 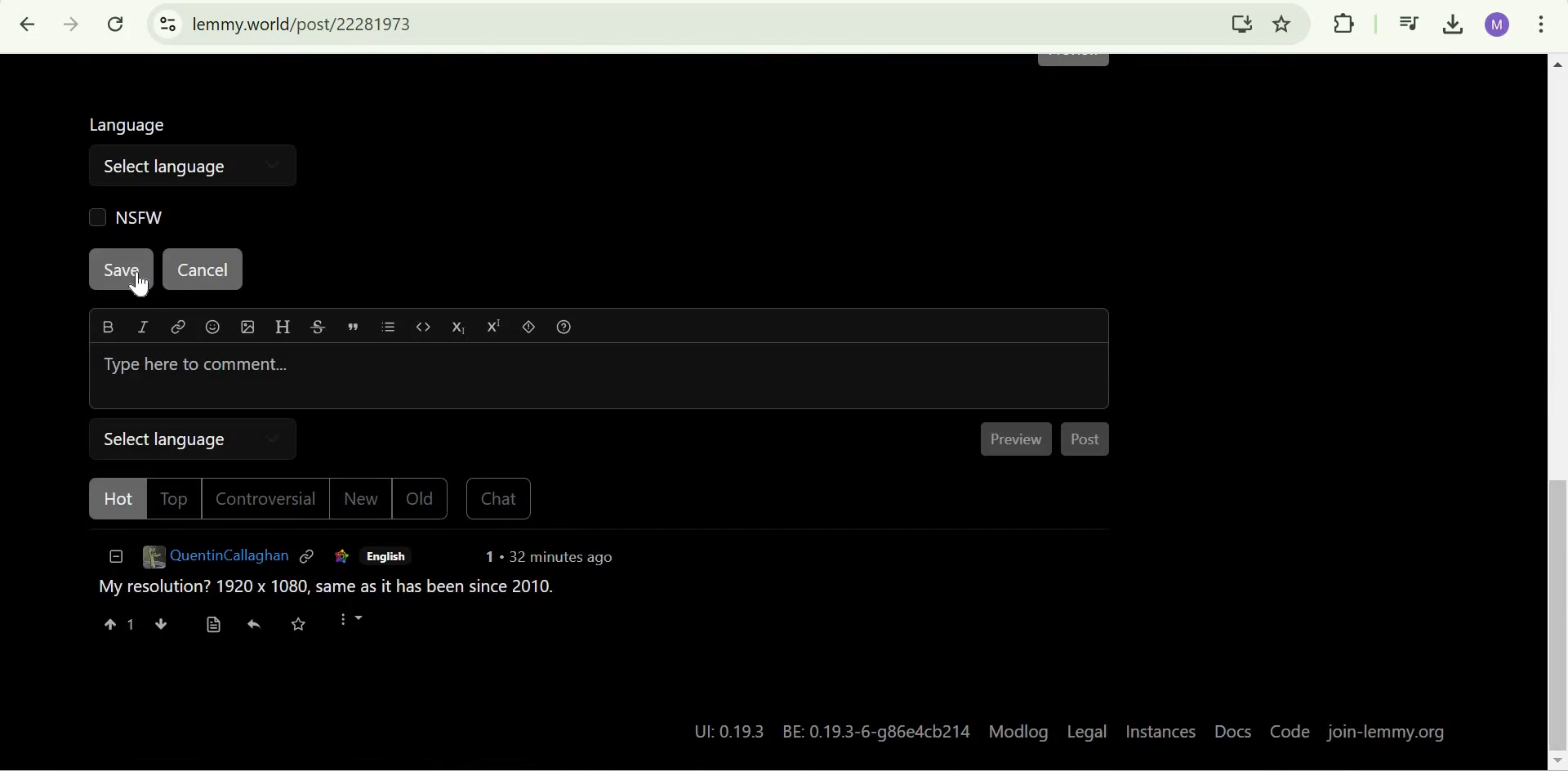 I want to click on emoji, so click(x=214, y=329).